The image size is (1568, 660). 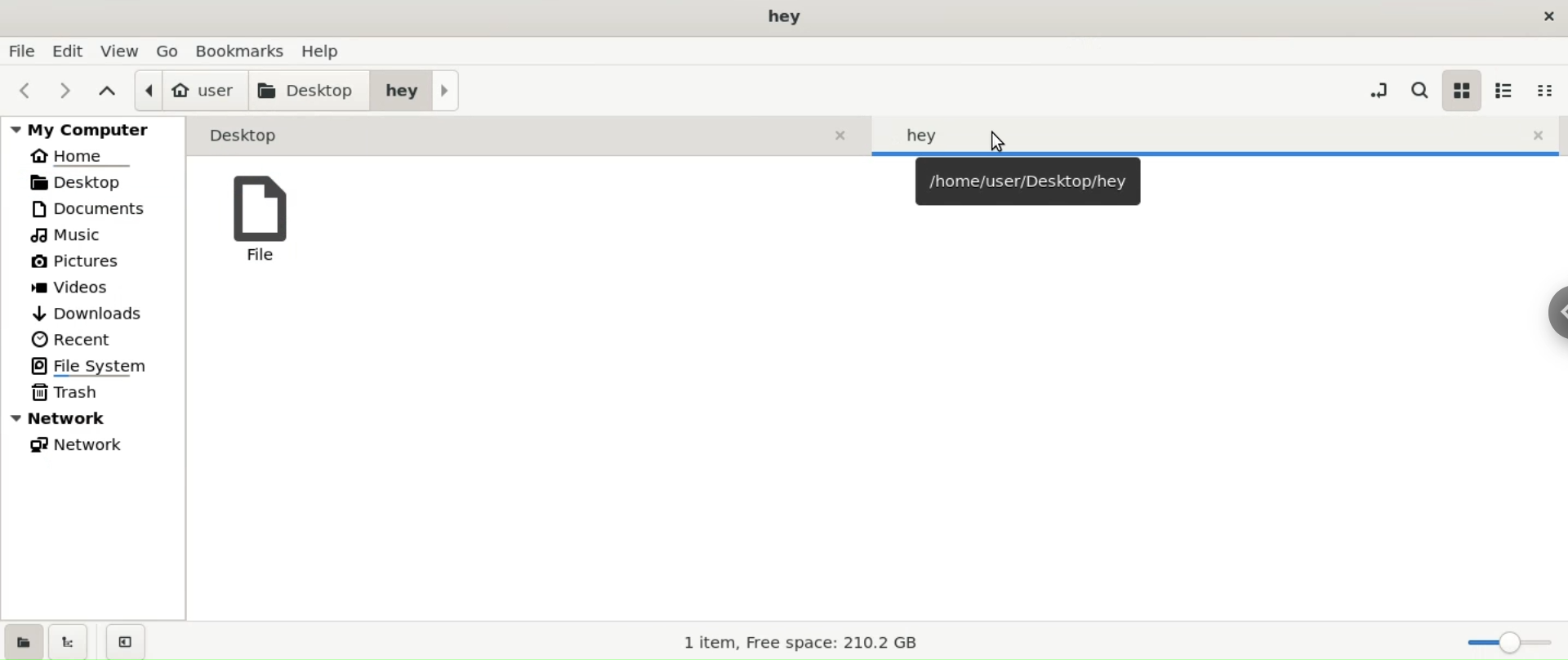 I want to click on file system, so click(x=101, y=366).